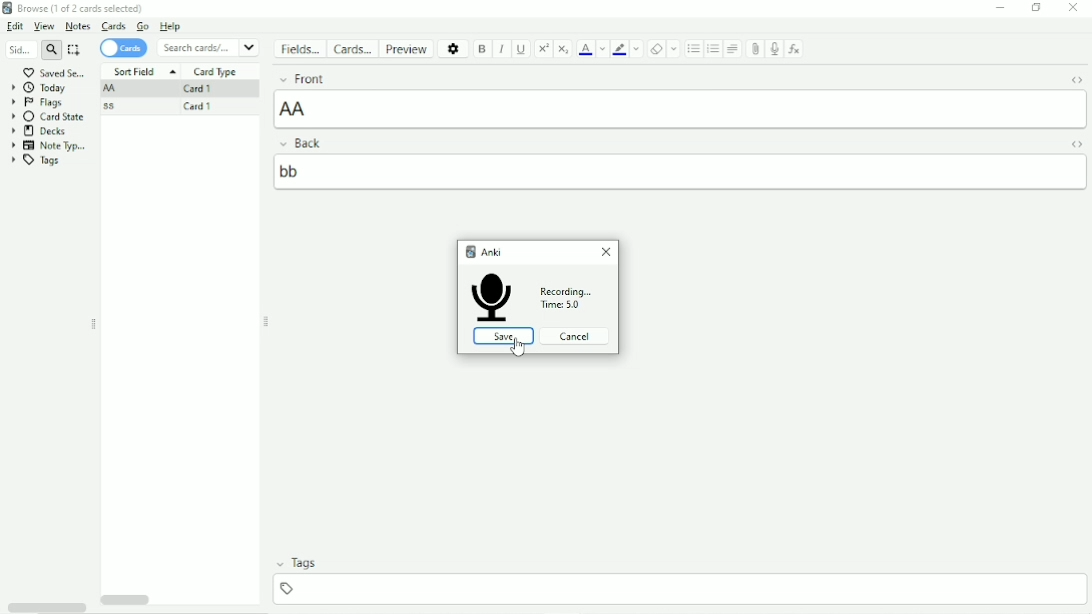 This screenshot has height=614, width=1092. What do you see at coordinates (123, 48) in the screenshot?
I see `Cards` at bounding box center [123, 48].